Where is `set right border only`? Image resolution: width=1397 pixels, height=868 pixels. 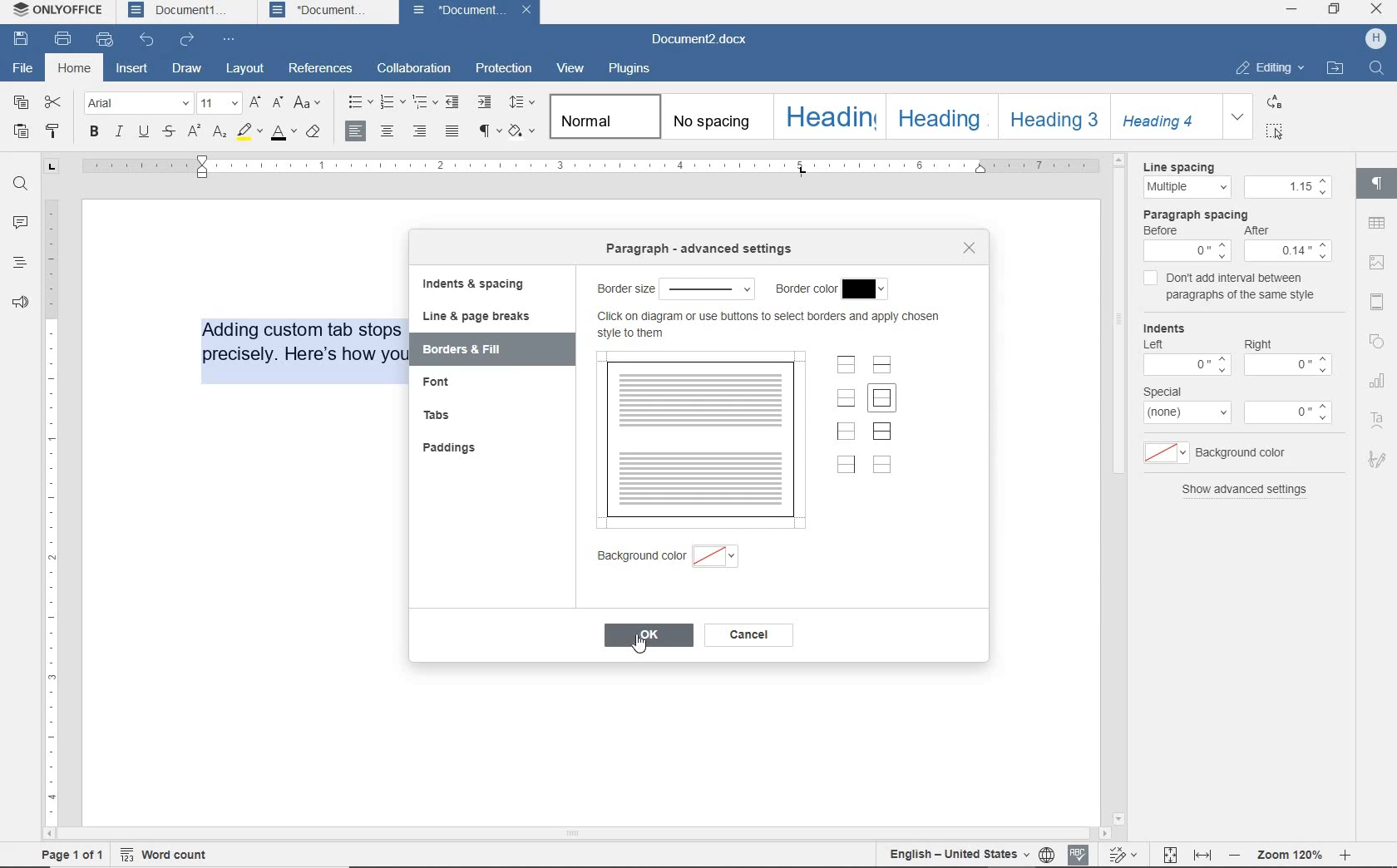 set right border only is located at coordinates (846, 464).